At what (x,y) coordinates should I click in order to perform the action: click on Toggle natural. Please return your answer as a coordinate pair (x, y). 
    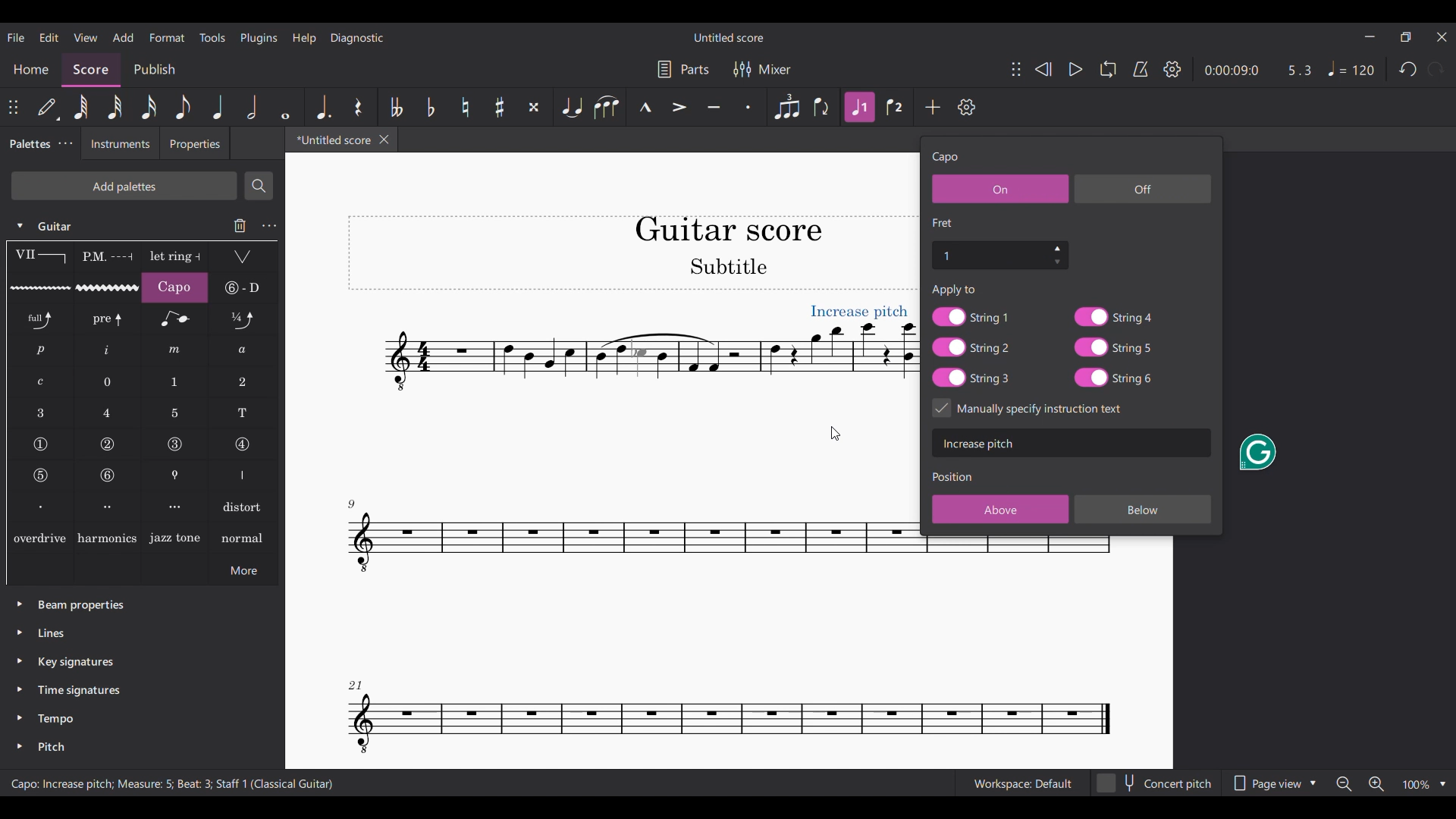
    Looking at the image, I should click on (465, 107).